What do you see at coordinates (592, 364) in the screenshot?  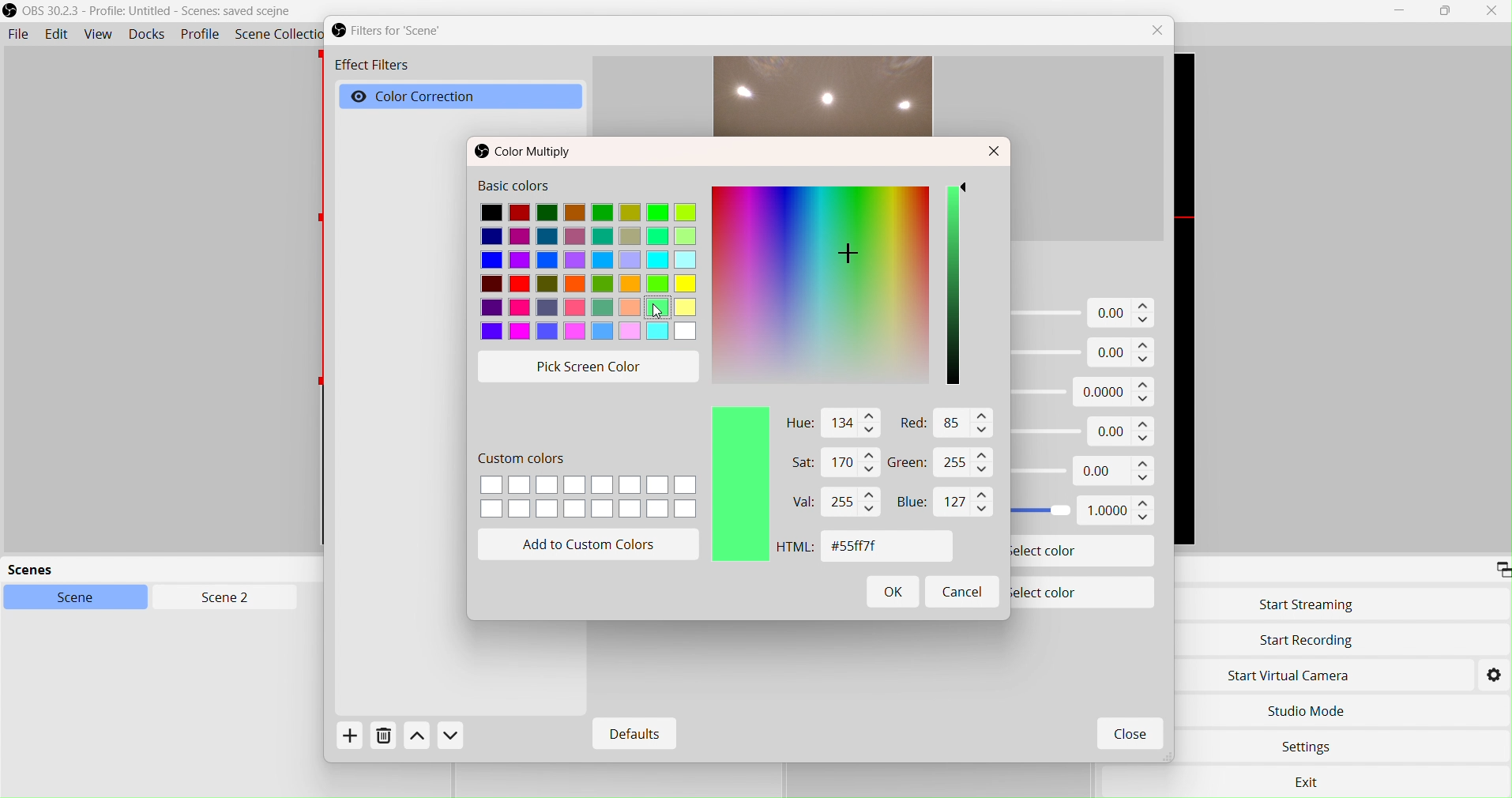 I see `Pick Screen Color` at bounding box center [592, 364].